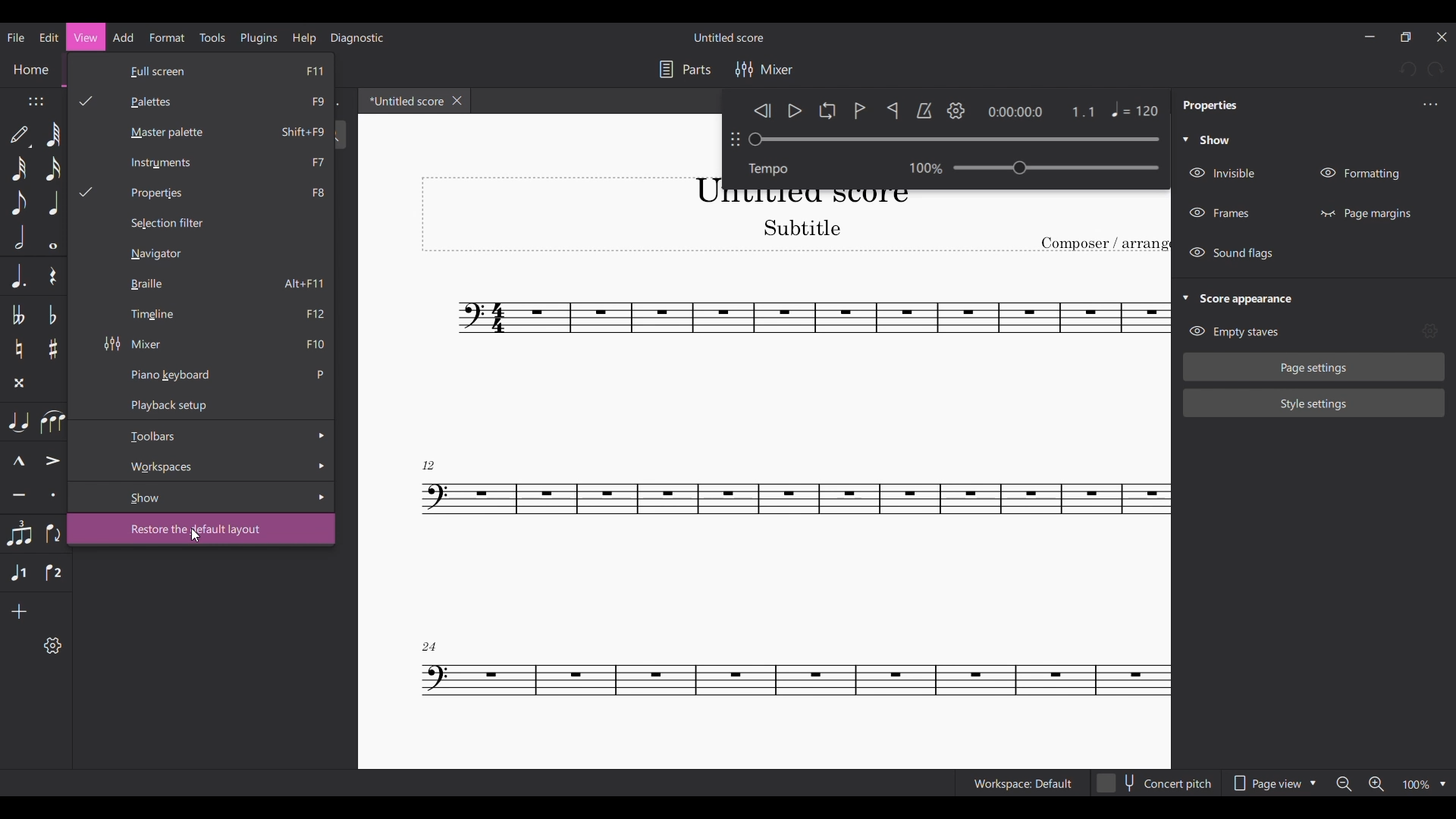 This screenshot has width=1456, height=819. Describe the element at coordinates (860, 111) in the screenshot. I see `Set loop marker left` at that location.